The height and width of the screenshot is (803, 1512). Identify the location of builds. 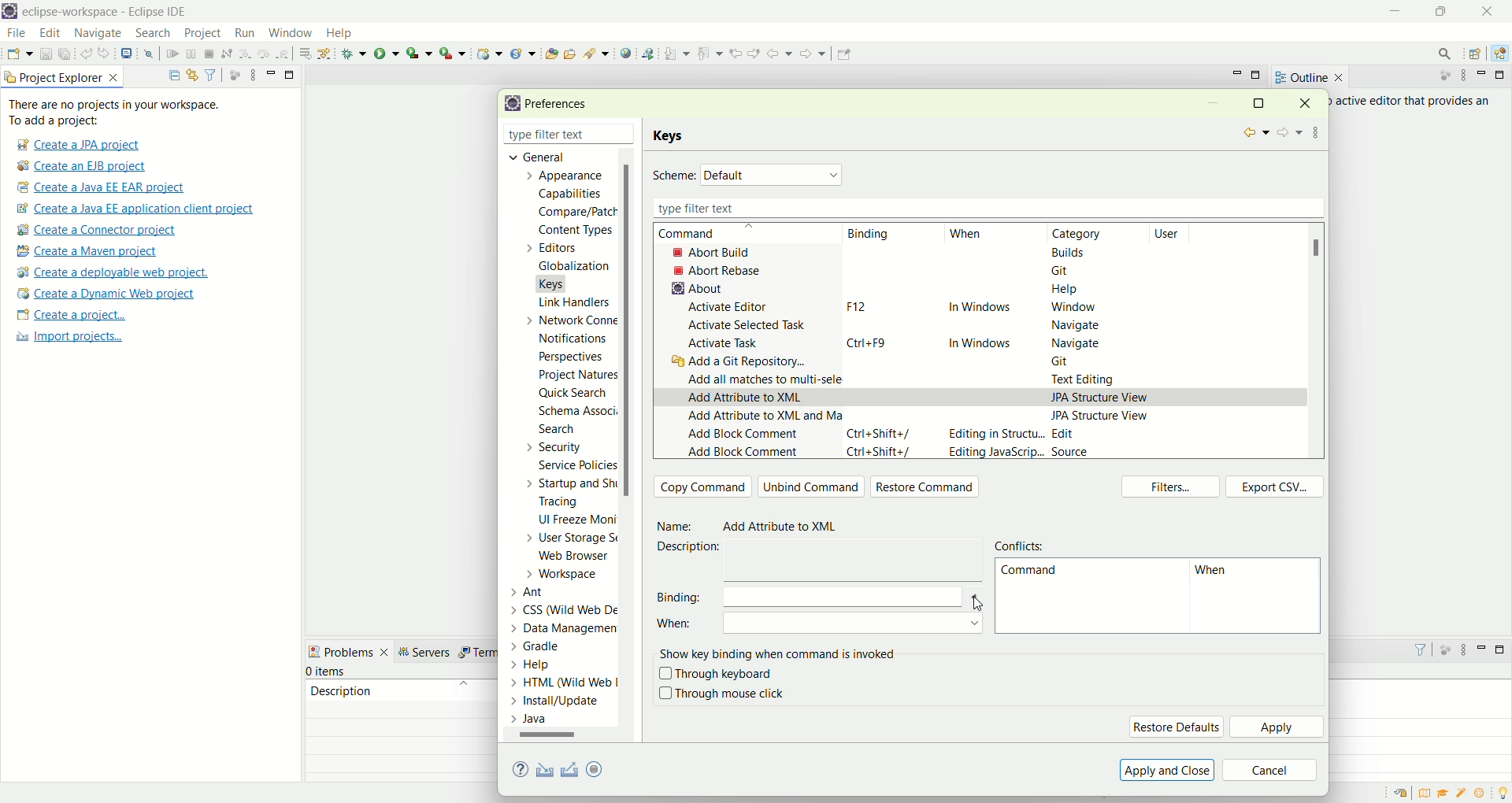
(1069, 252).